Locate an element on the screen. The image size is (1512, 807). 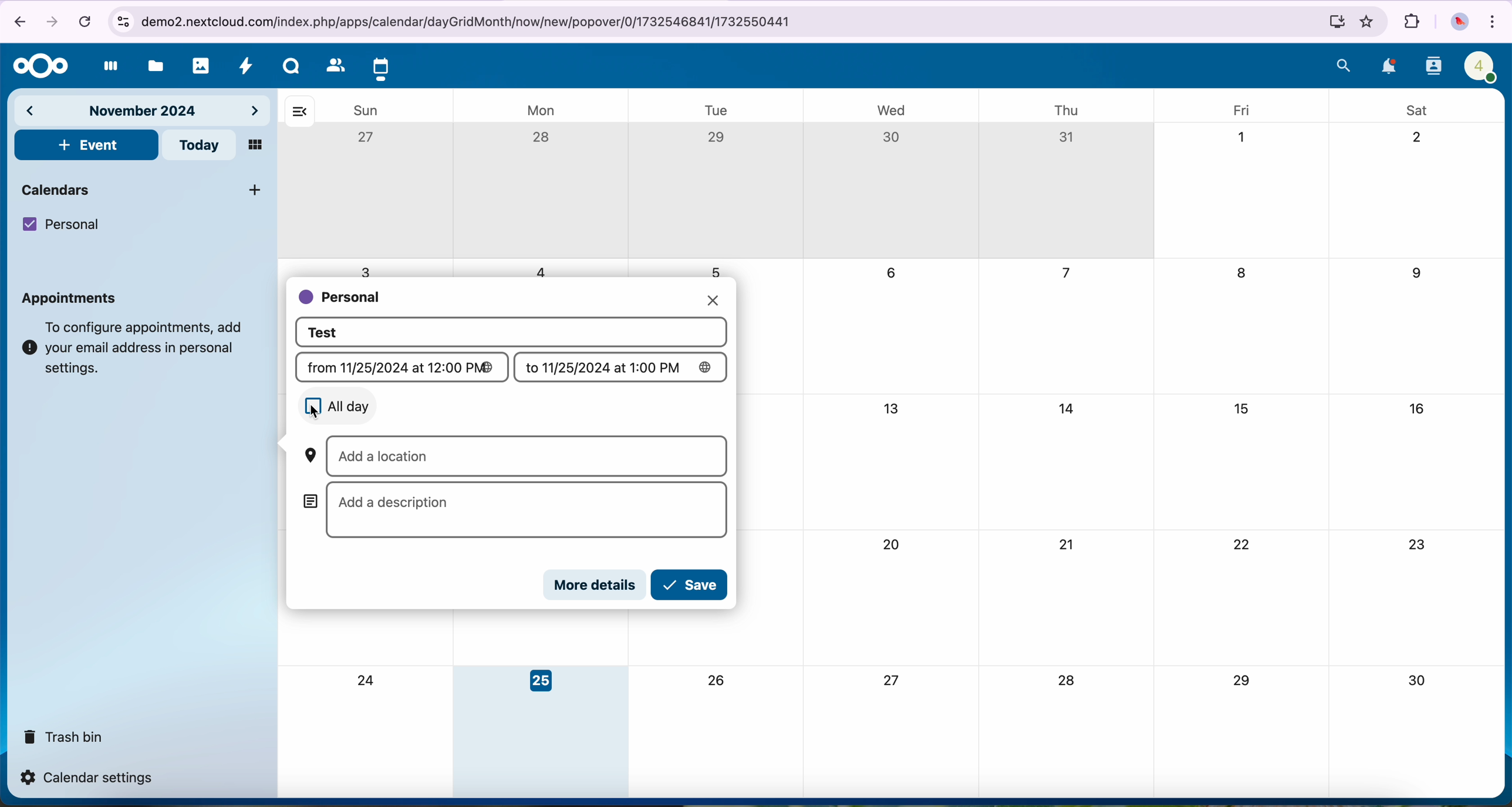
27 is located at coordinates (894, 680).